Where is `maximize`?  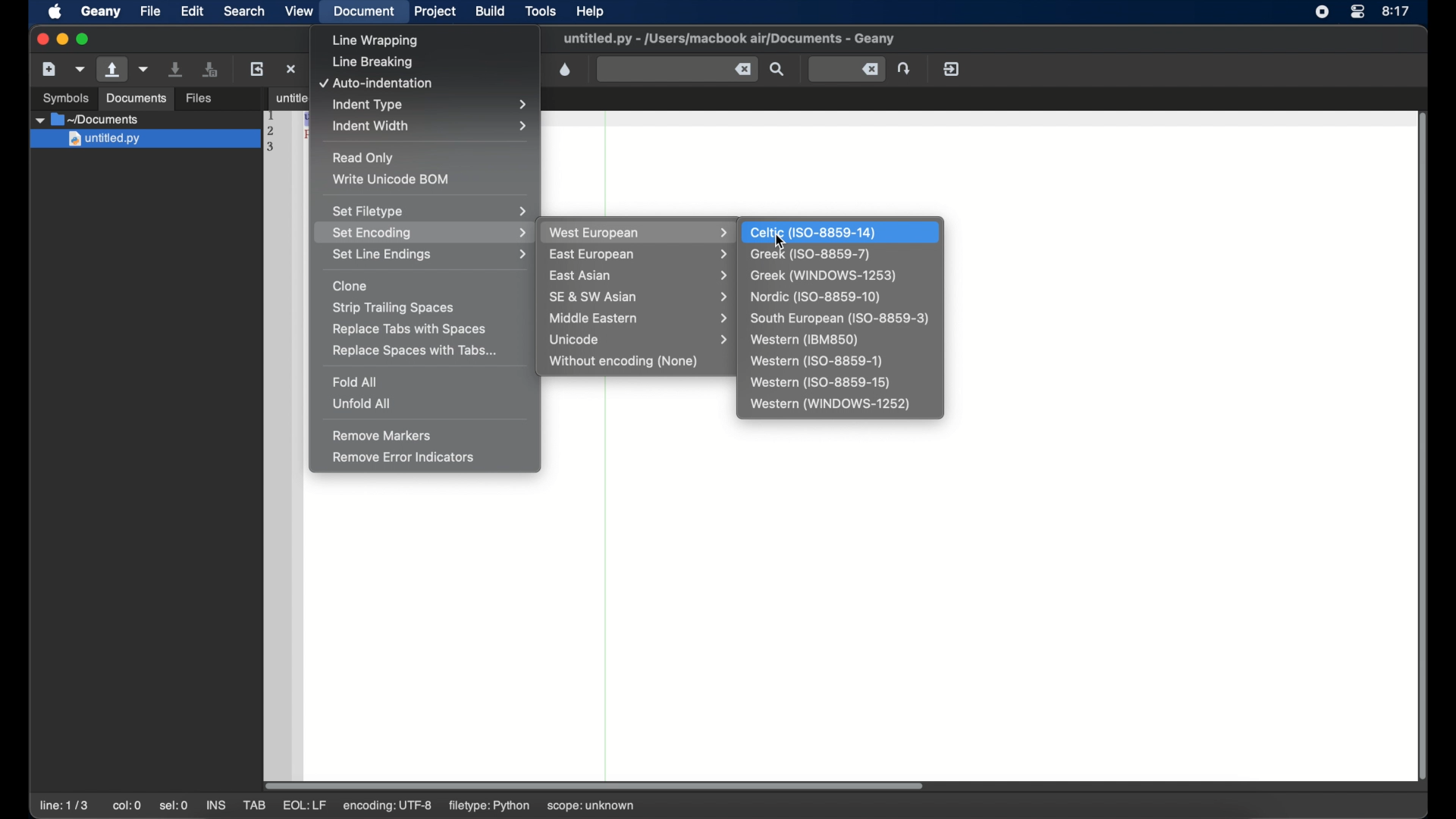 maximize is located at coordinates (85, 39).